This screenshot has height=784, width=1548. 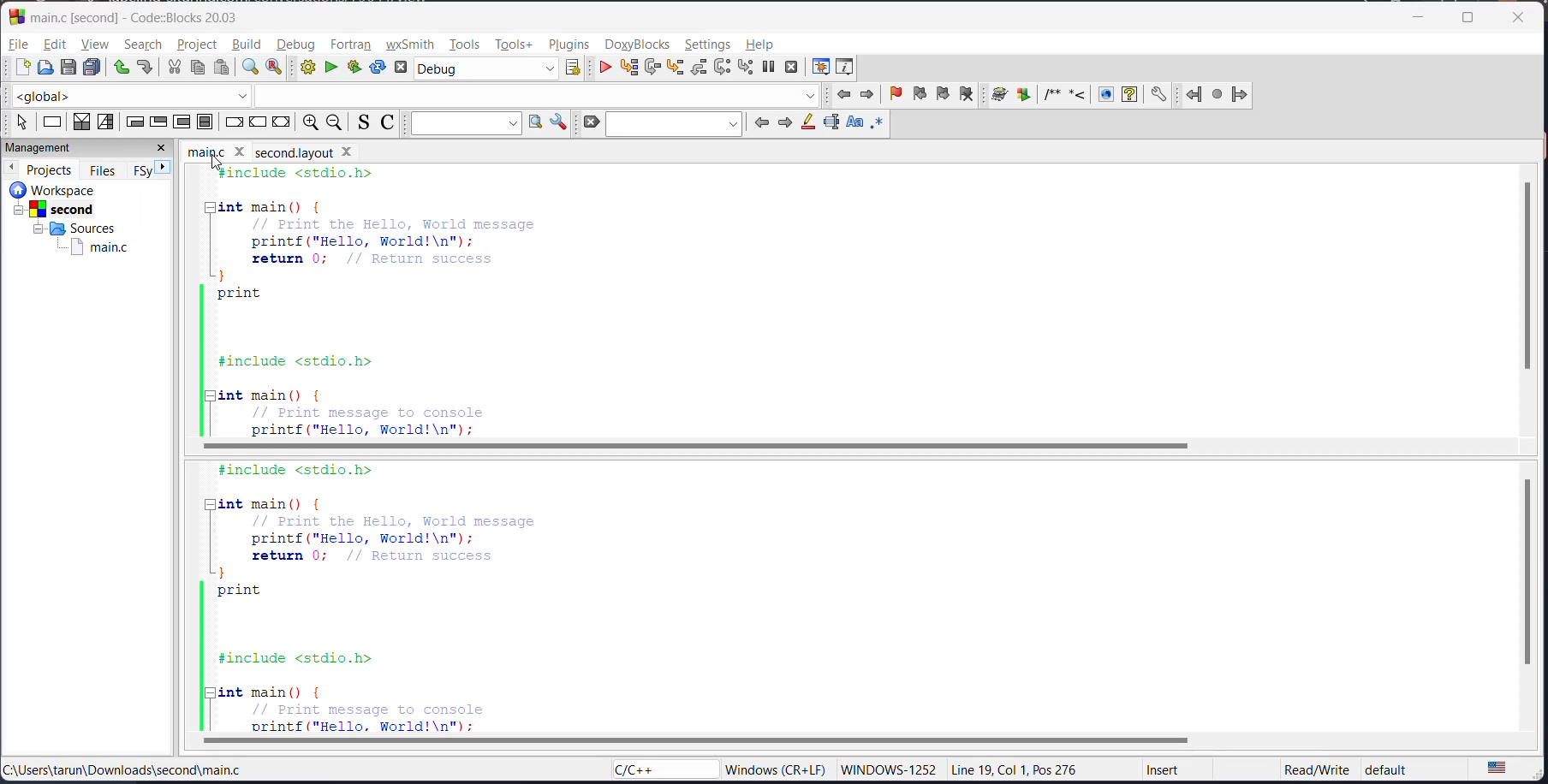 What do you see at coordinates (900, 94) in the screenshot?
I see `toggle bookmark` at bounding box center [900, 94].